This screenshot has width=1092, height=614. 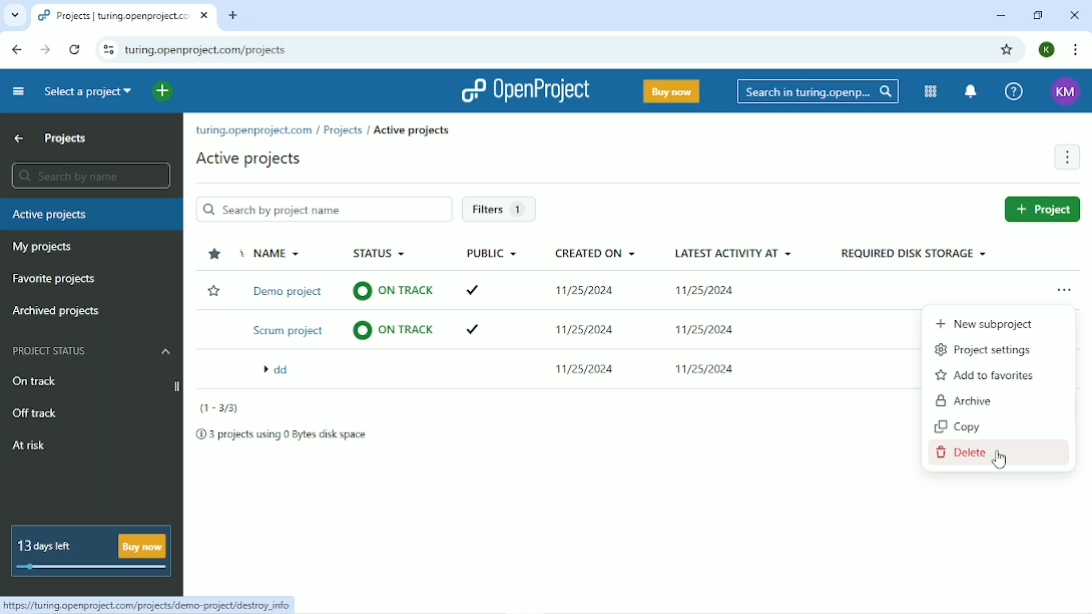 What do you see at coordinates (43, 50) in the screenshot?
I see `Forward` at bounding box center [43, 50].